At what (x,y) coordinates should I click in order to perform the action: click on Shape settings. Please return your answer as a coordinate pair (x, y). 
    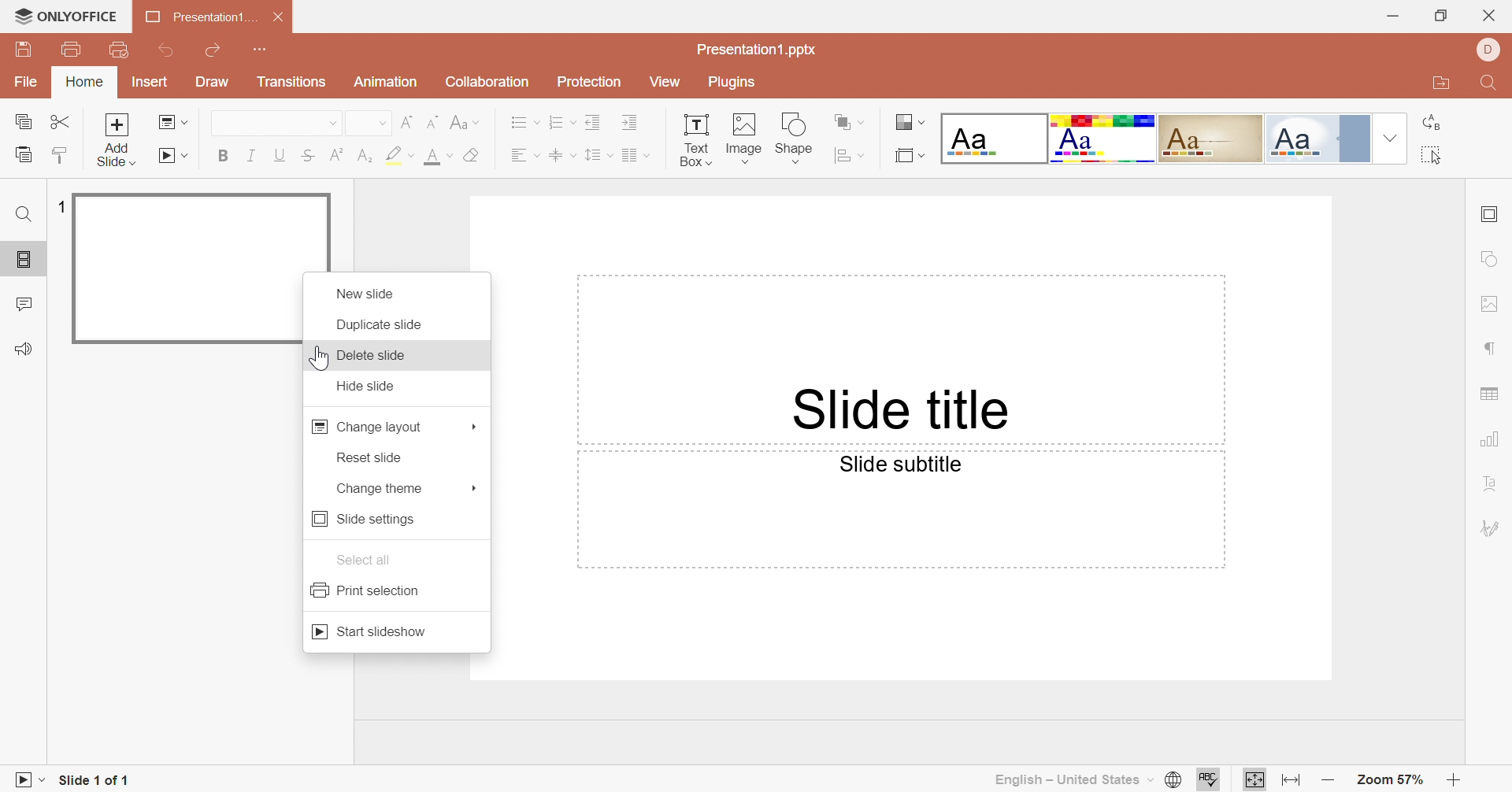
    Looking at the image, I should click on (1487, 257).